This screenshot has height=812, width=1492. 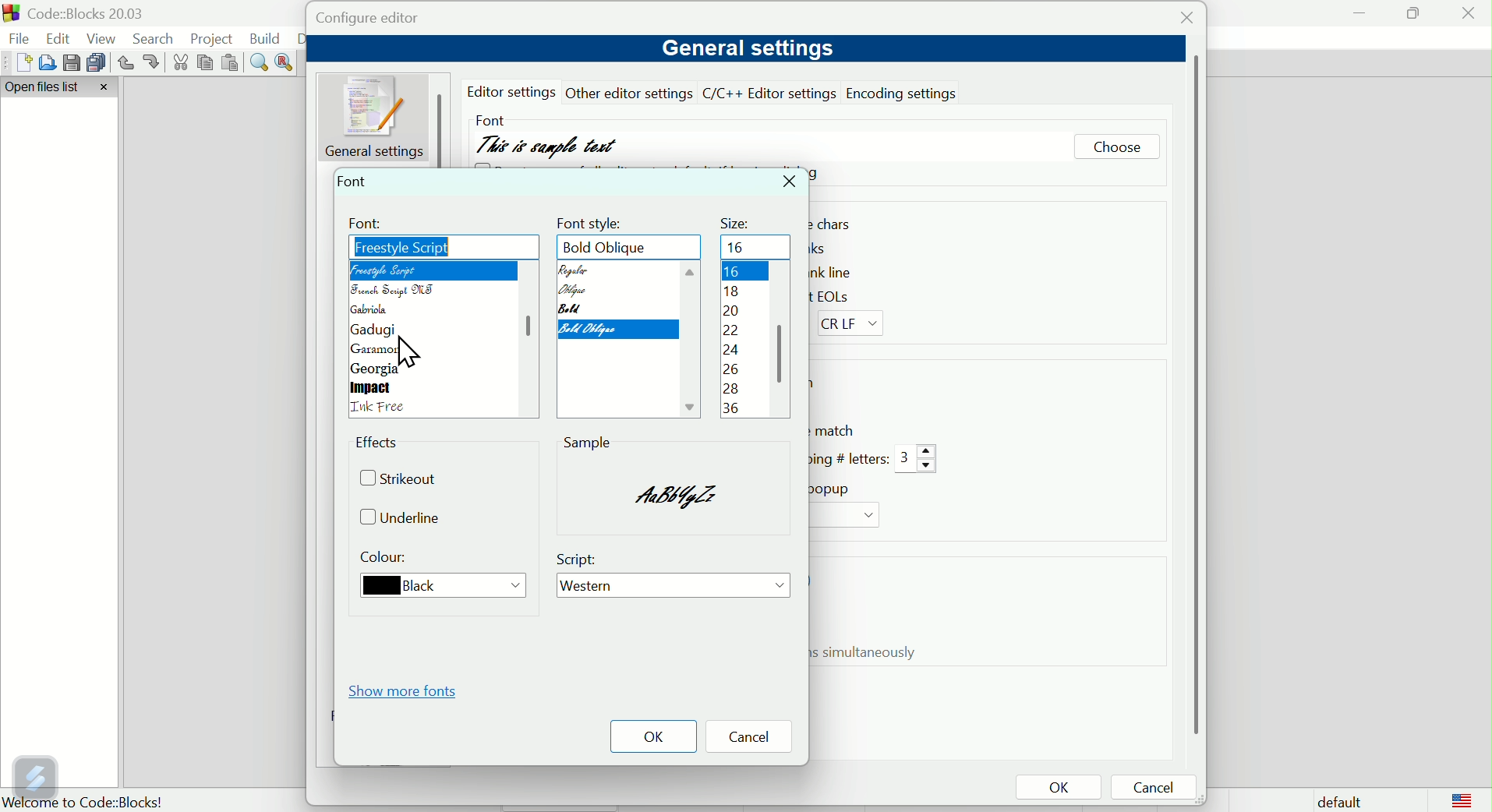 I want to click on 24, so click(x=730, y=352).